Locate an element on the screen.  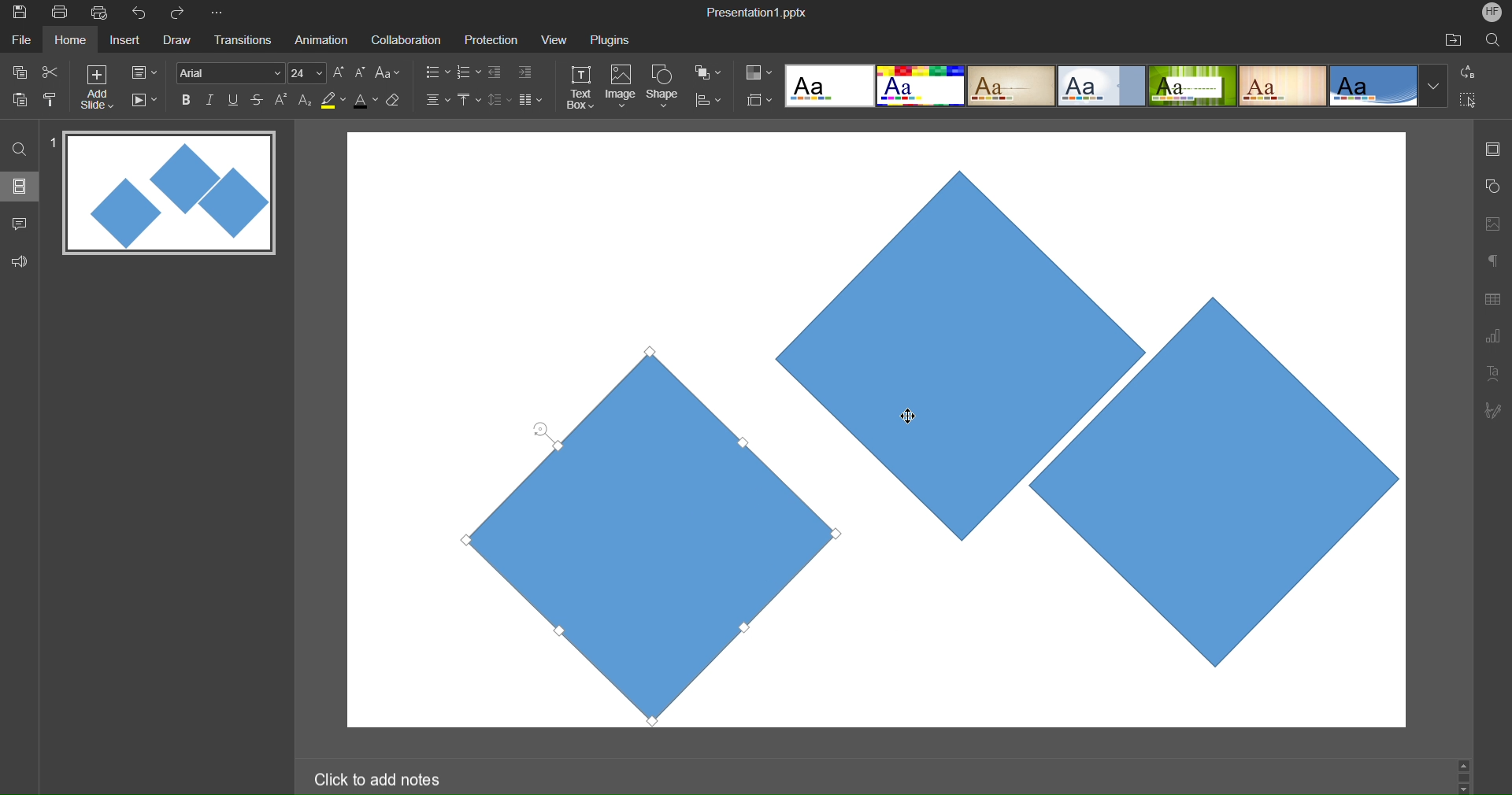
Superscript is located at coordinates (283, 99).